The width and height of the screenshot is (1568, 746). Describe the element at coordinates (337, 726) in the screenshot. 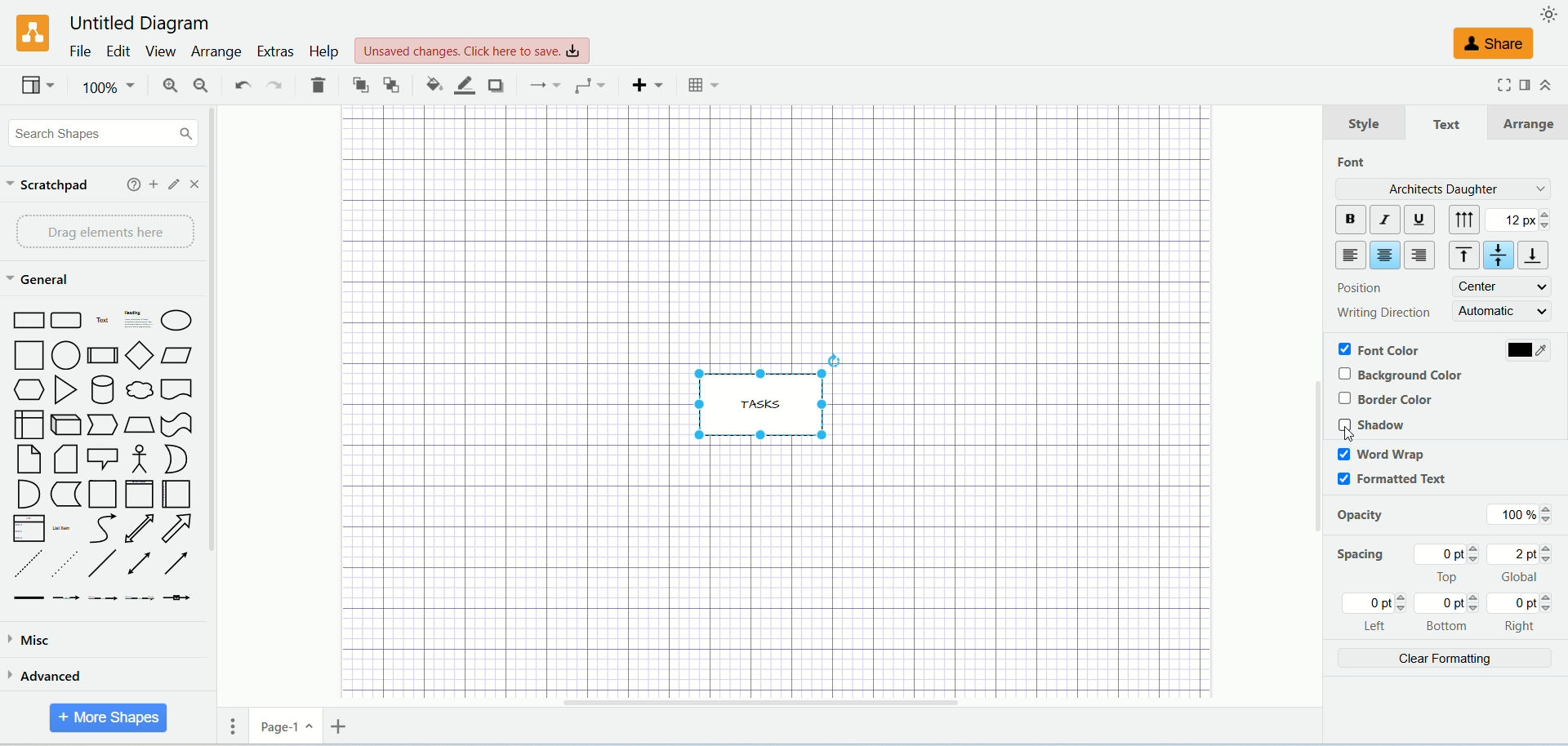

I see `insert page` at that location.